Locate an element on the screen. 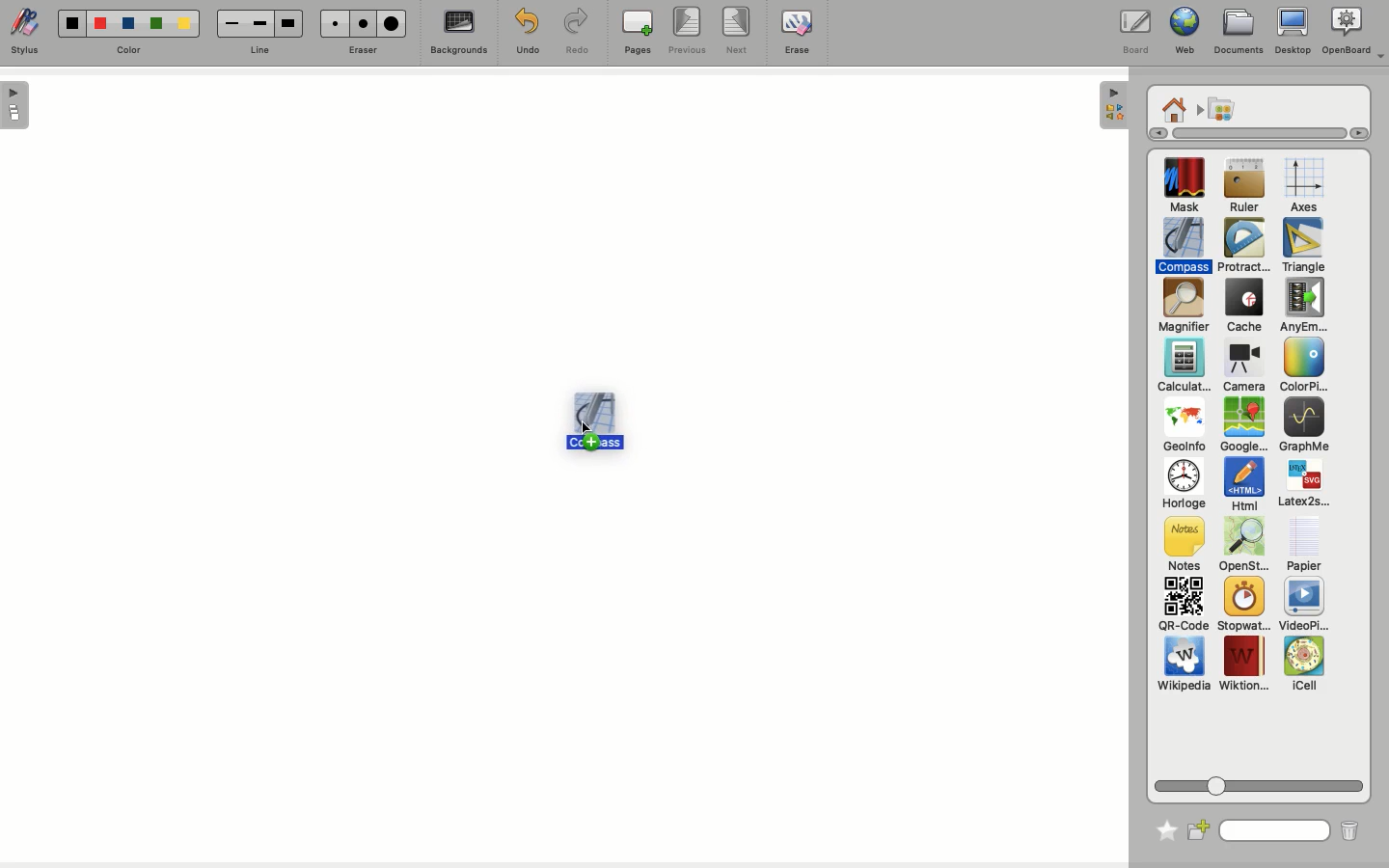  Stopwatch is located at coordinates (1242, 606).